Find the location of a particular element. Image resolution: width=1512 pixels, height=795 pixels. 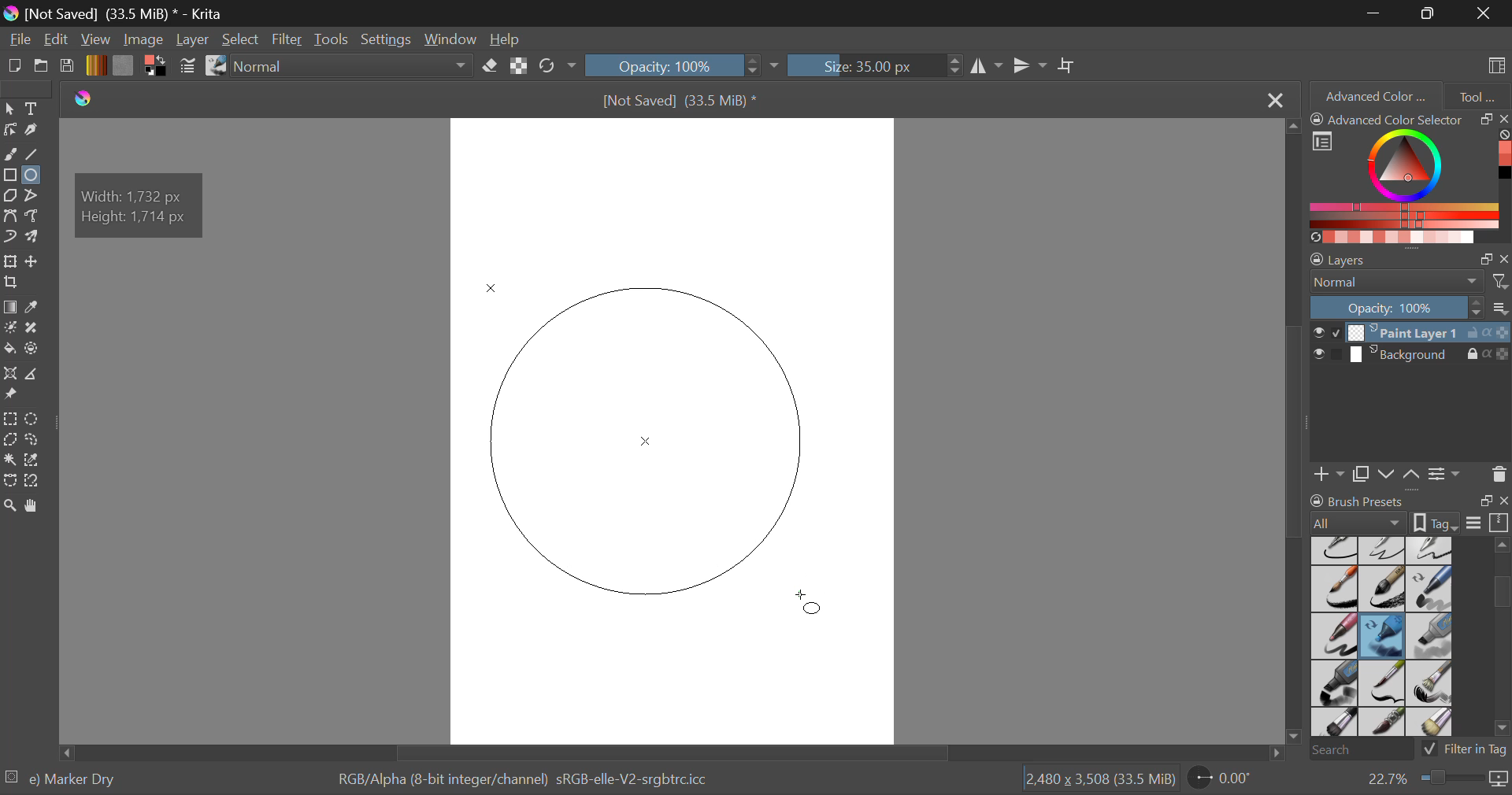

Add Layer is located at coordinates (1329, 472).